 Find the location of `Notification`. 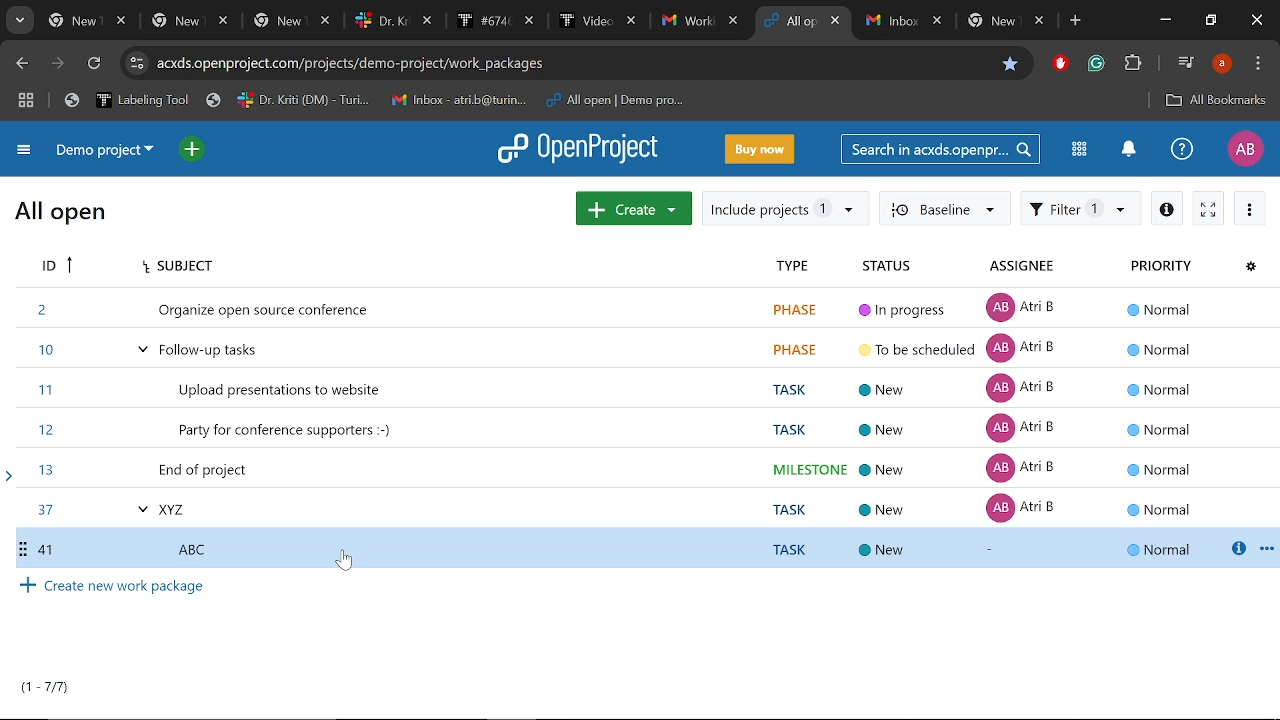

Notification is located at coordinates (1132, 151).